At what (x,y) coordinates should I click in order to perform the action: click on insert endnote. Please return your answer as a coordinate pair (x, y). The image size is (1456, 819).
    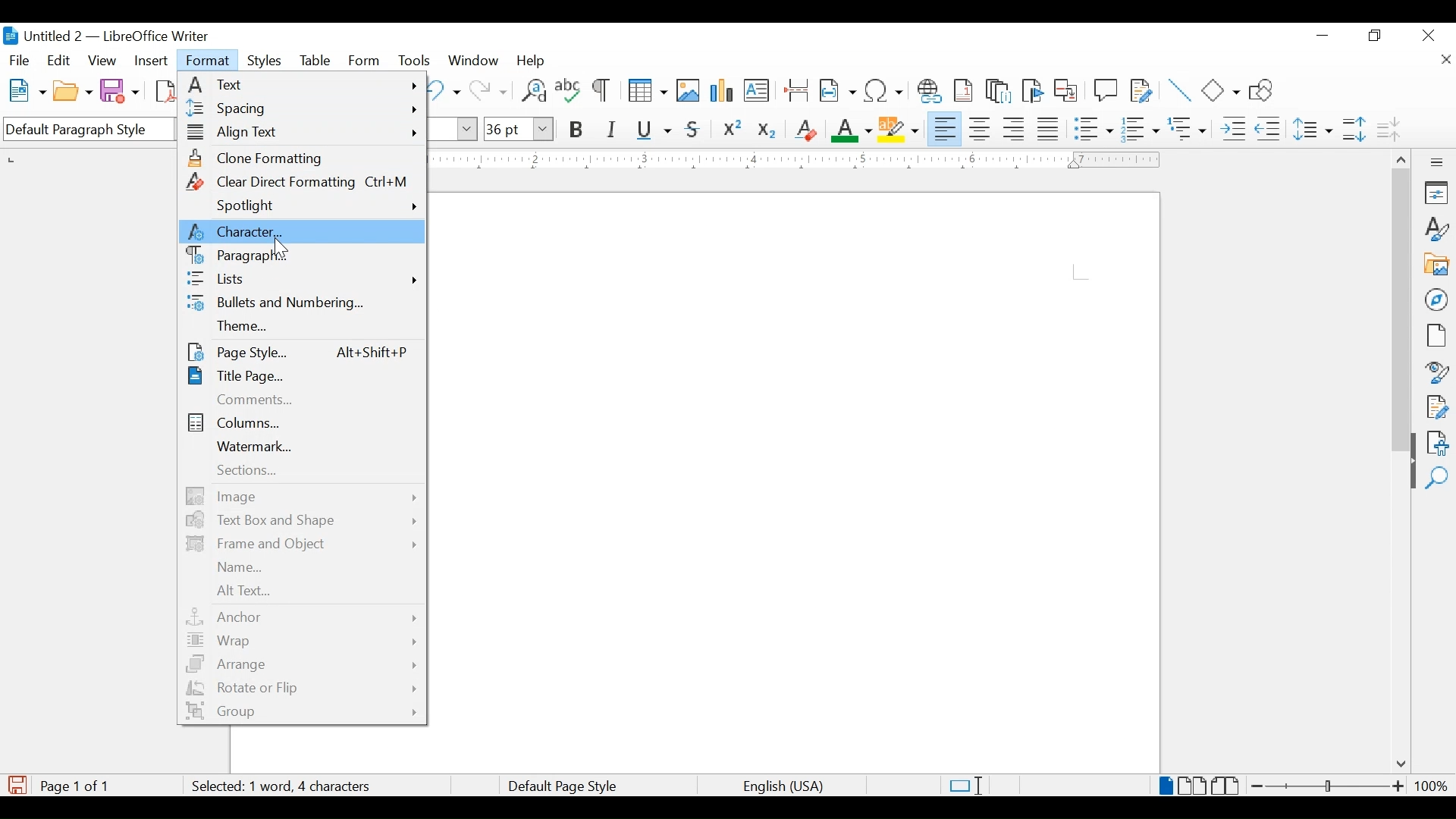
    Looking at the image, I should click on (999, 91).